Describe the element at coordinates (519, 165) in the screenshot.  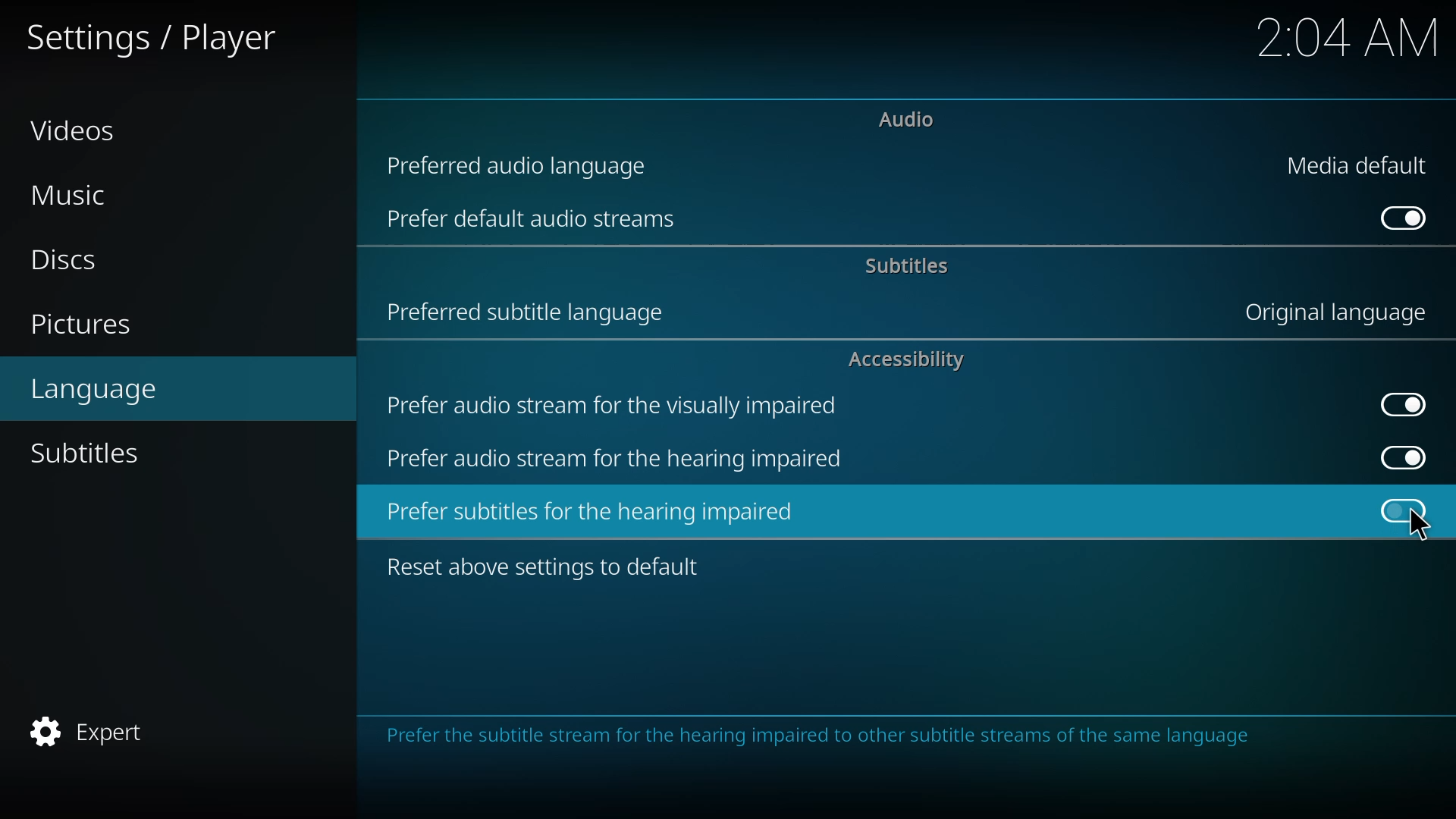
I see `preferred audio language` at that location.